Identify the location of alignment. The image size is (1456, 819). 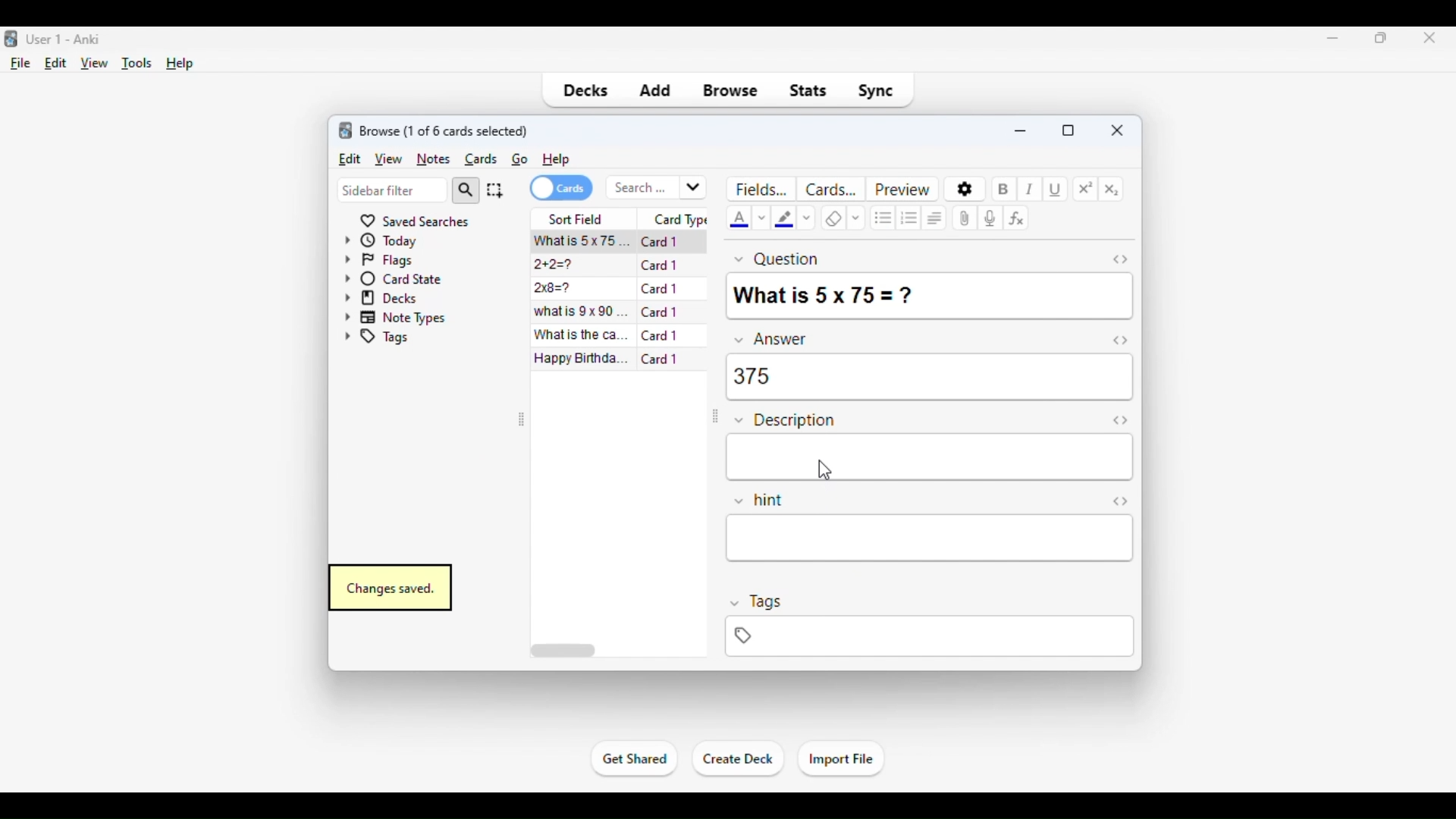
(937, 217).